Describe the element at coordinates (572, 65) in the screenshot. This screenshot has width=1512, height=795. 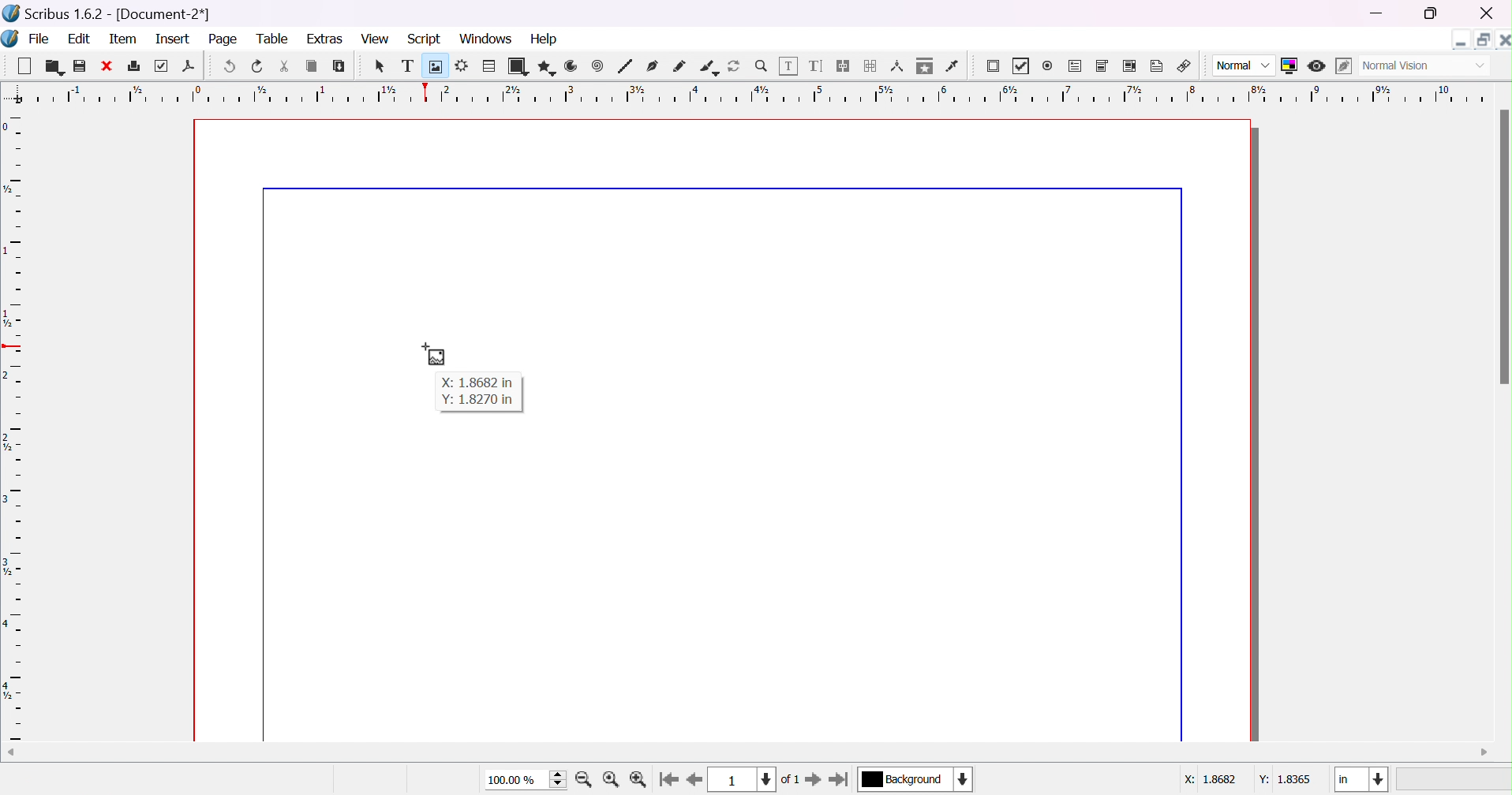
I see `arc` at that location.